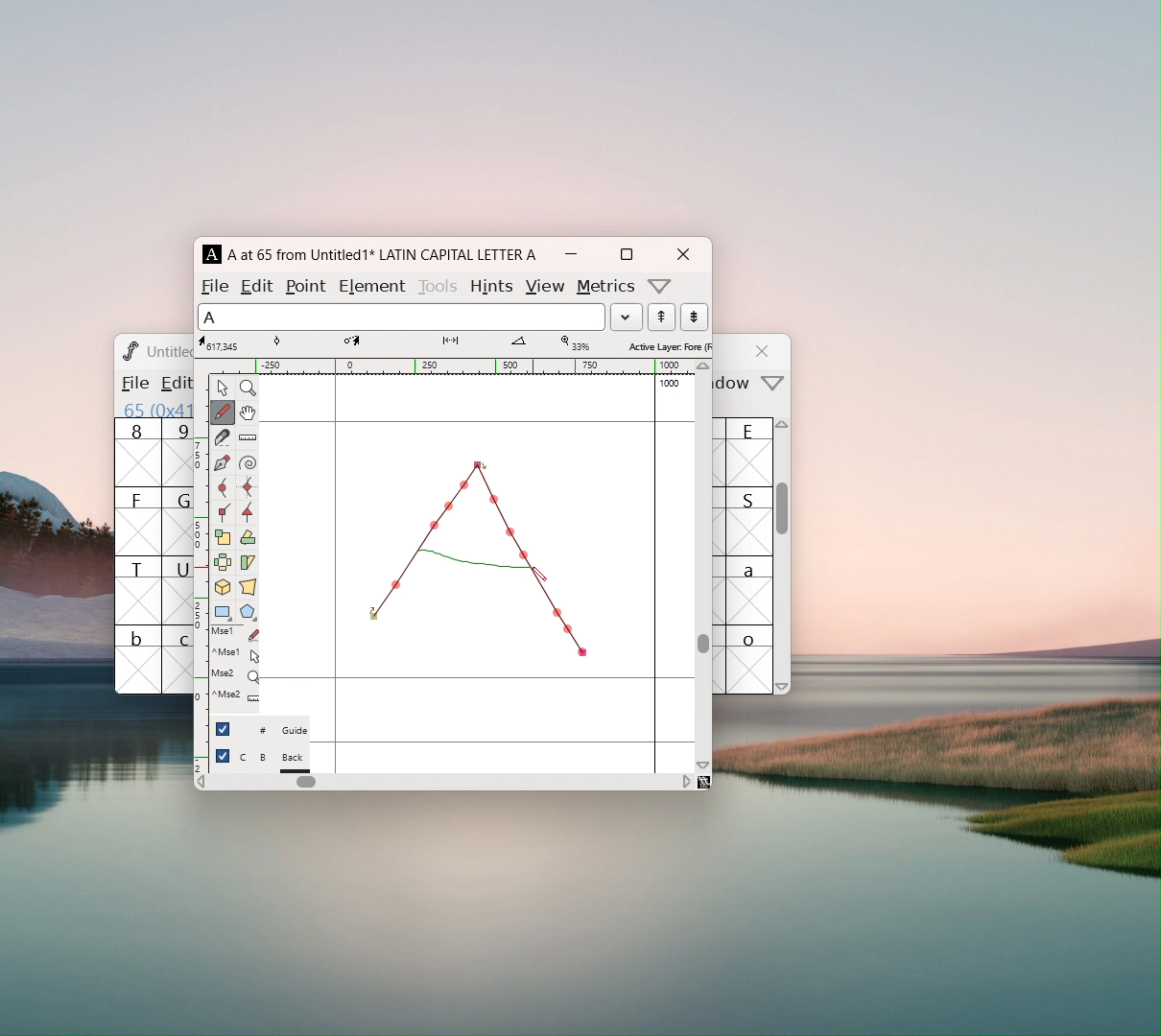 The height and width of the screenshot is (1036, 1161). I want to click on rotate the selection, so click(247, 539).